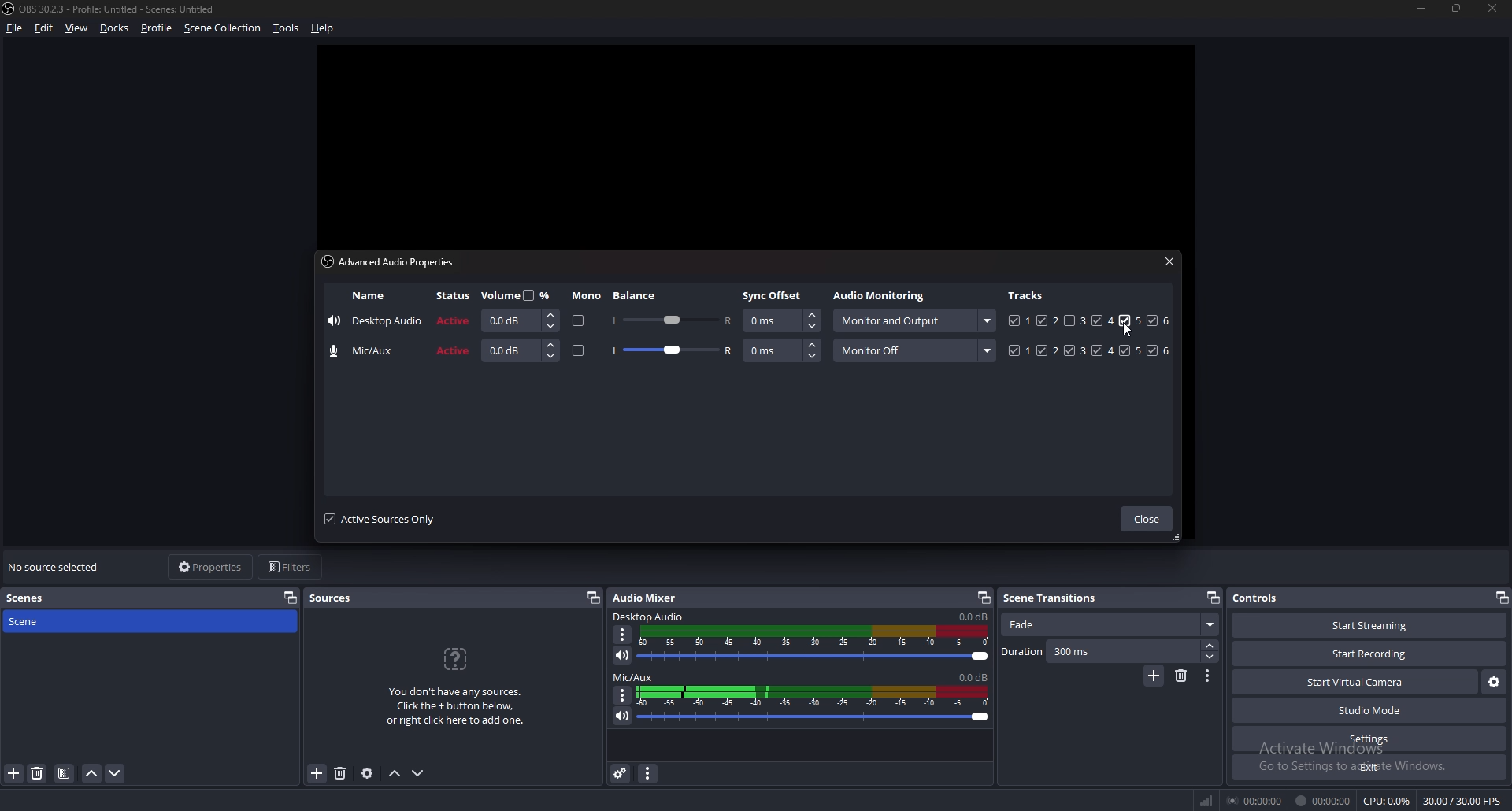 This screenshot has width=1512, height=811. Describe the element at coordinates (914, 350) in the screenshot. I see `monitor off` at that location.